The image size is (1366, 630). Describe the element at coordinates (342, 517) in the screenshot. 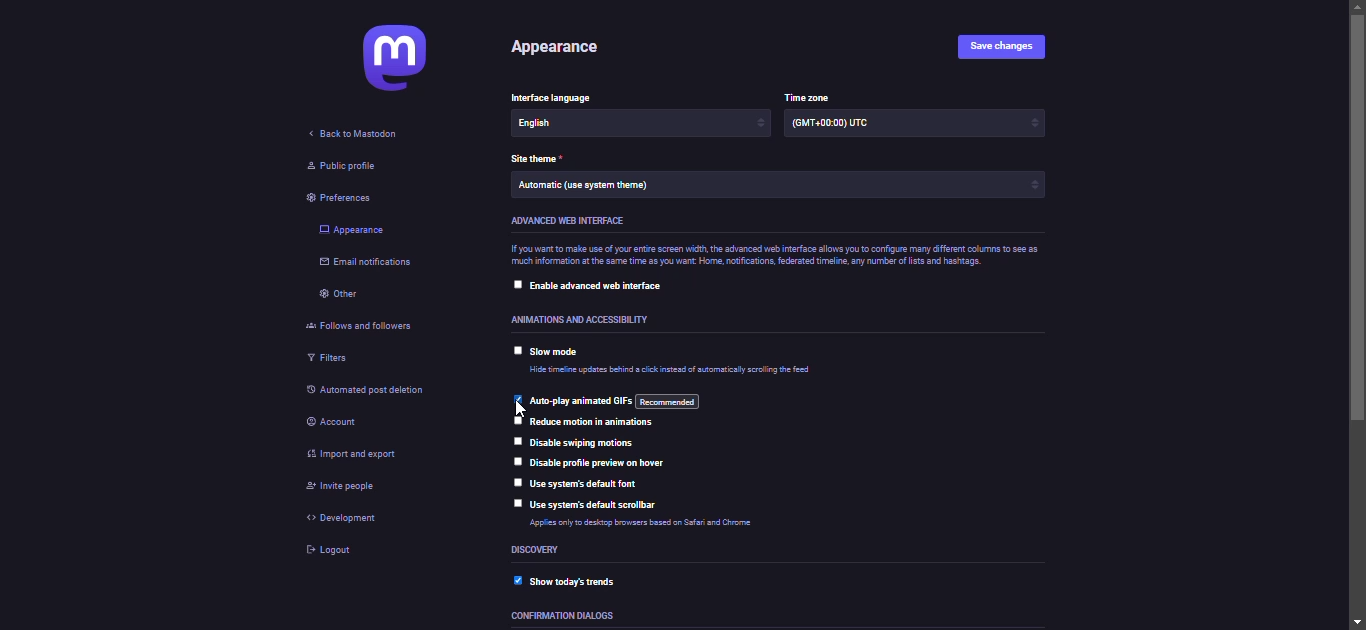

I see `development` at that location.